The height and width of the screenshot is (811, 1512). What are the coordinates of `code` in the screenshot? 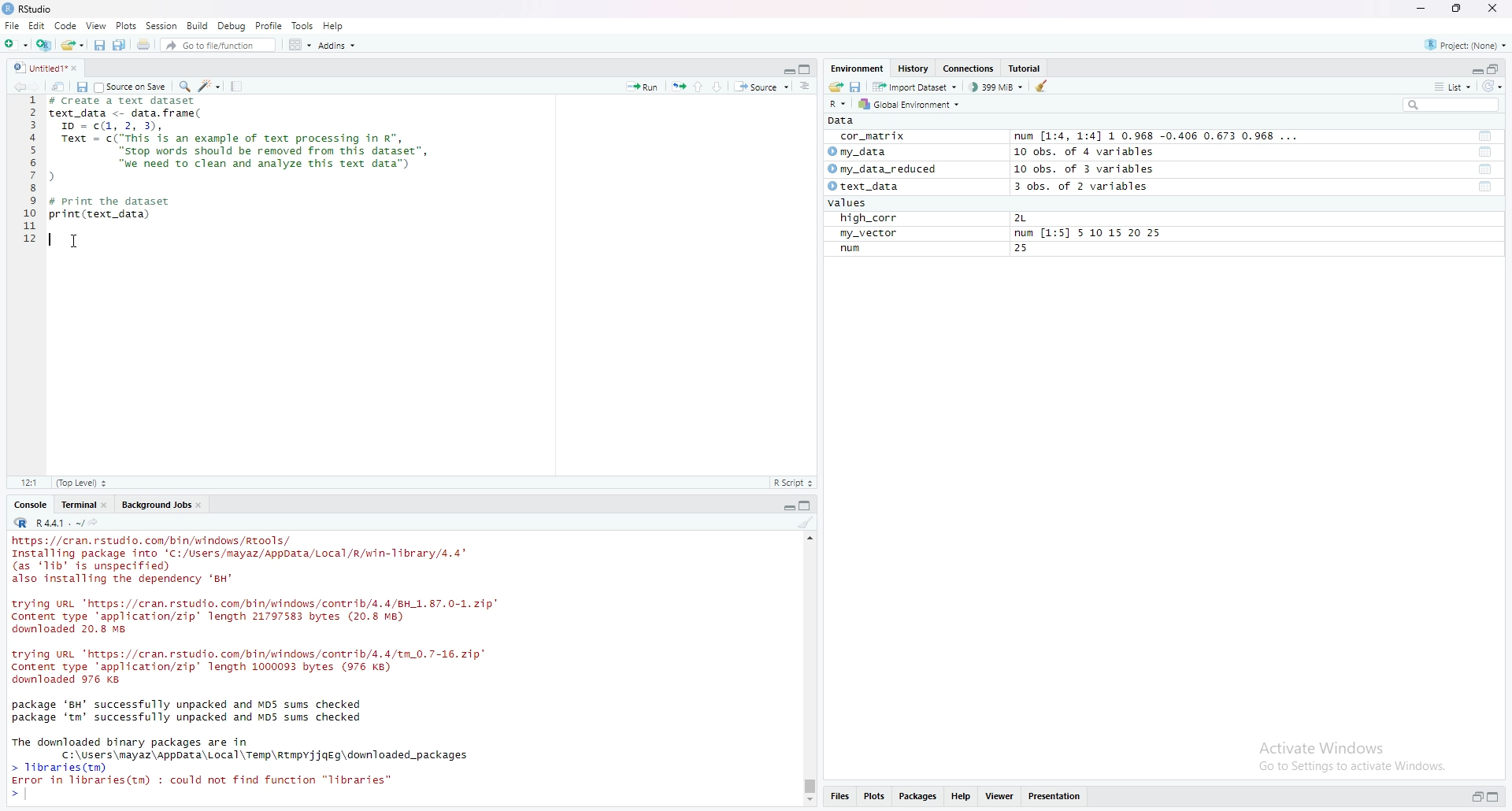 It's located at (65, 25).